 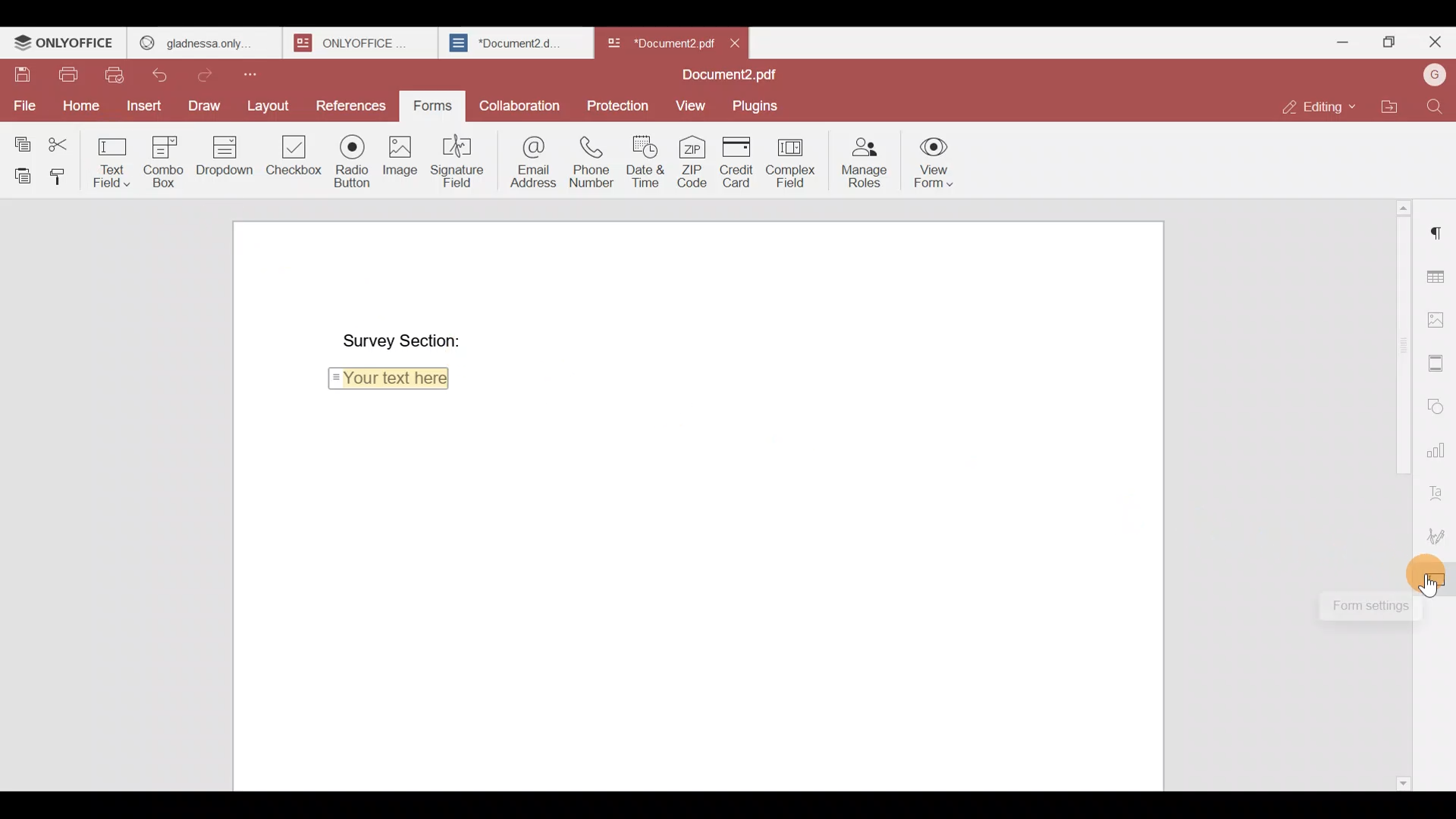 What do you see at coordinates (1438, 315) in the screenshot?
I see `Image settings` at bounding box center [1438, 315].